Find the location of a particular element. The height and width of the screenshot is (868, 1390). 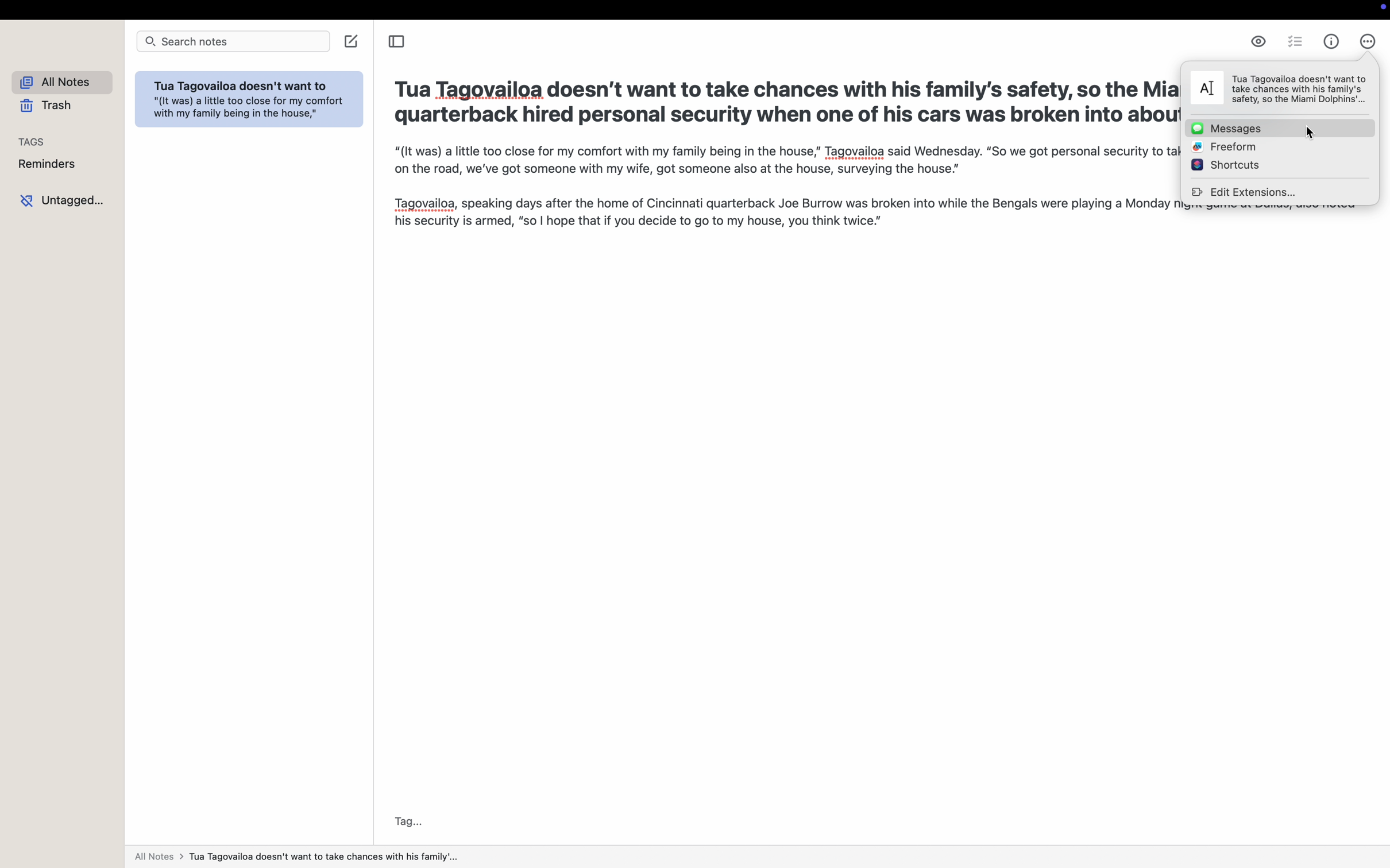

all notes> is located at coordinates (298, 859).